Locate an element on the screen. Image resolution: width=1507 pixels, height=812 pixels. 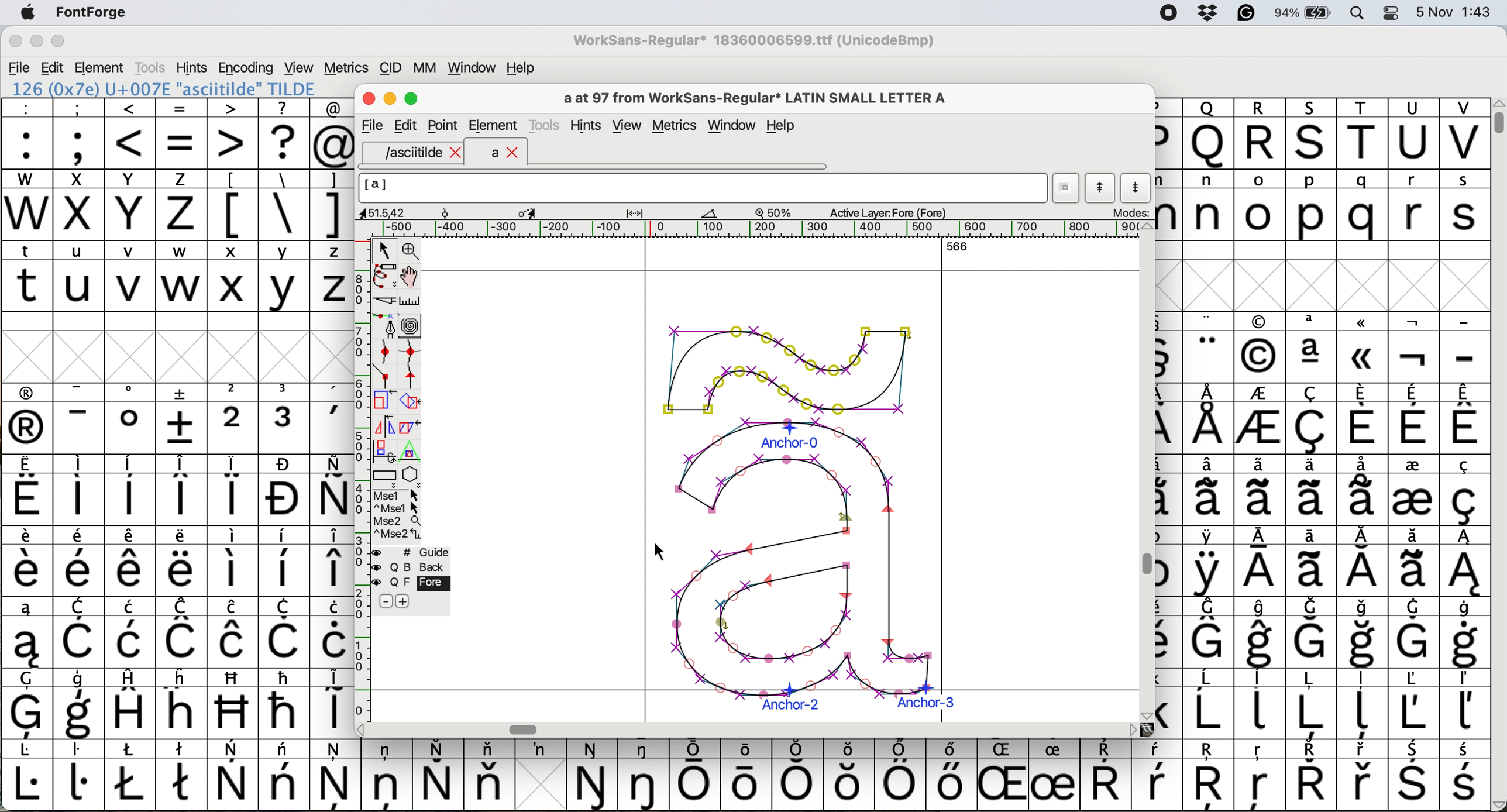
n is located at coordinates (1208, 204).